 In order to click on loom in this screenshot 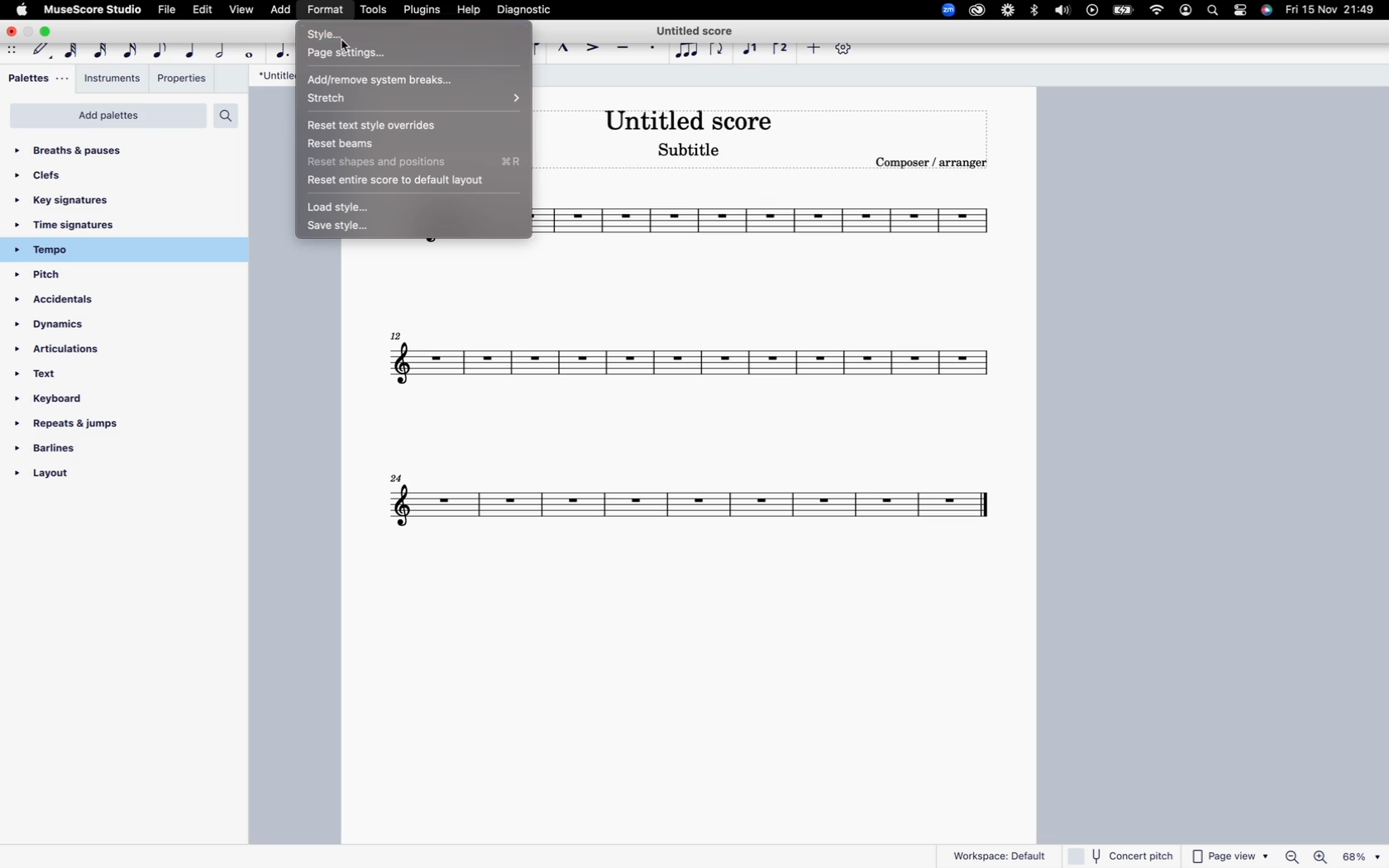, I will do `click(1008, 10)`.